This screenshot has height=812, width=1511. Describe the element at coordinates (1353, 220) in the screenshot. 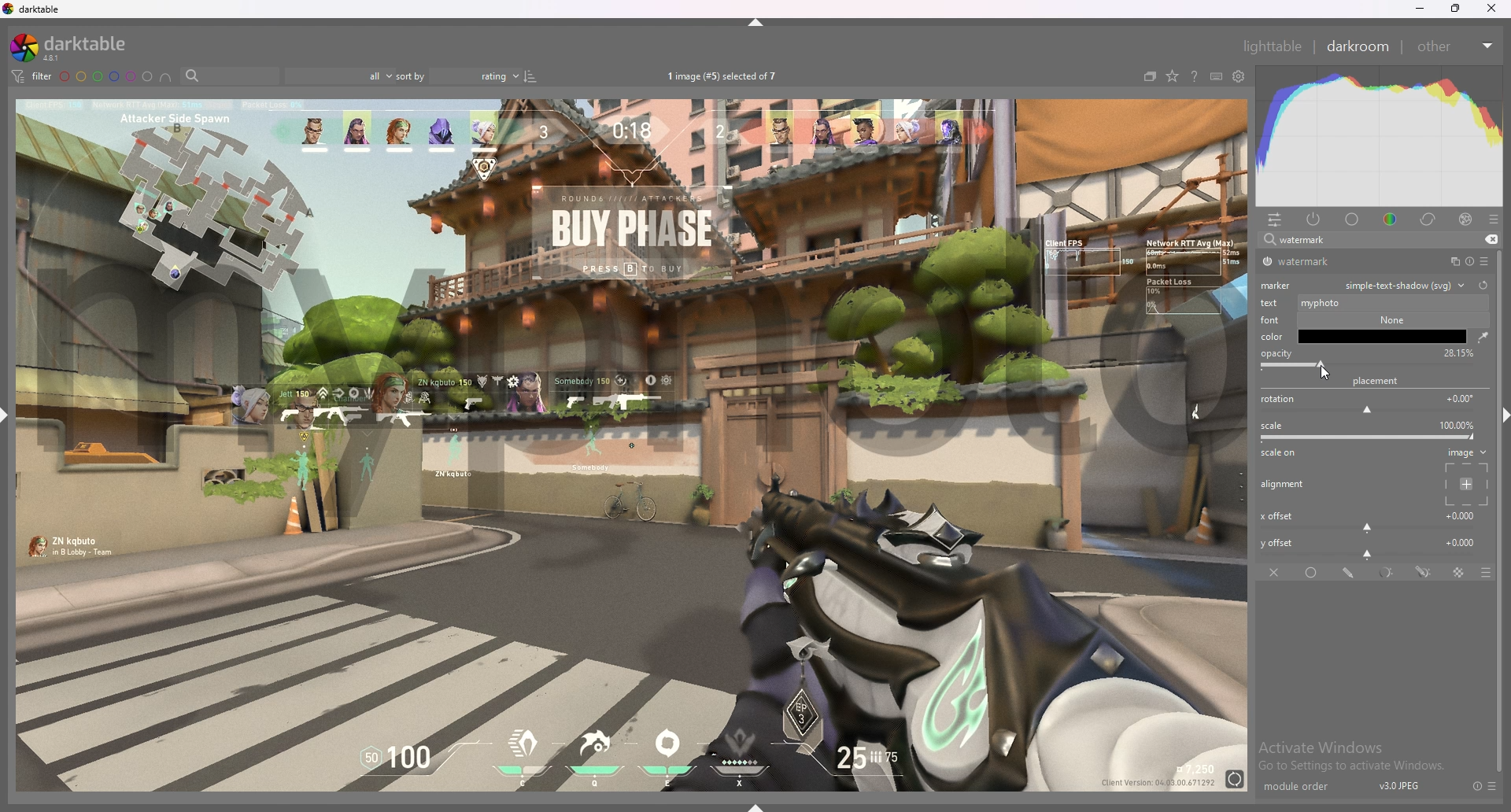

I see `base` at that location.